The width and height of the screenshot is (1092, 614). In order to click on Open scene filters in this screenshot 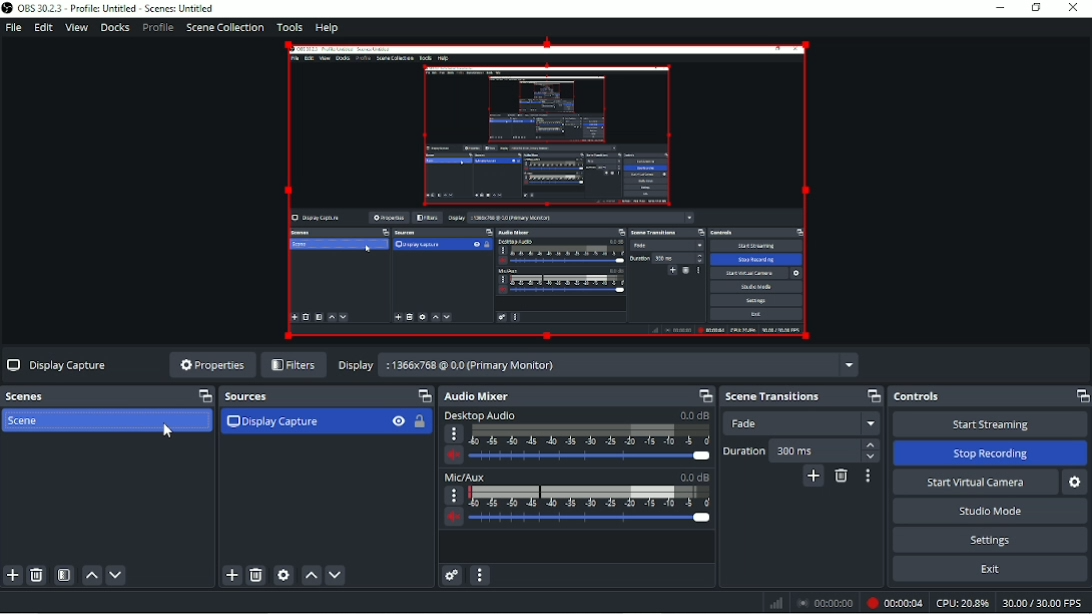, I will do `click(65, 576)`.